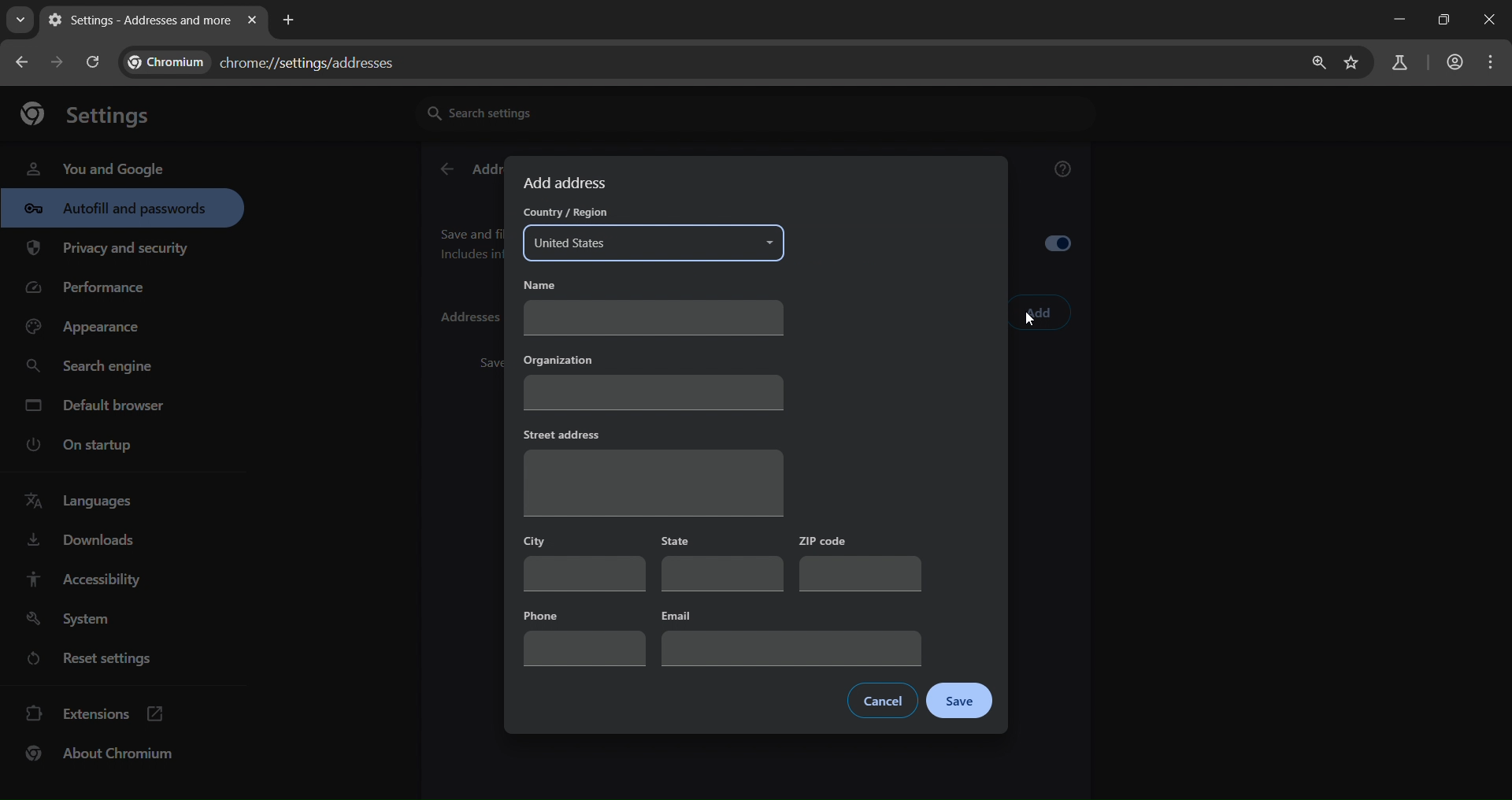 This screenshot has height=800, width=1512. Describe the element at coordinates (1314, 63) in the screenshot. I see `zoom` at that location.